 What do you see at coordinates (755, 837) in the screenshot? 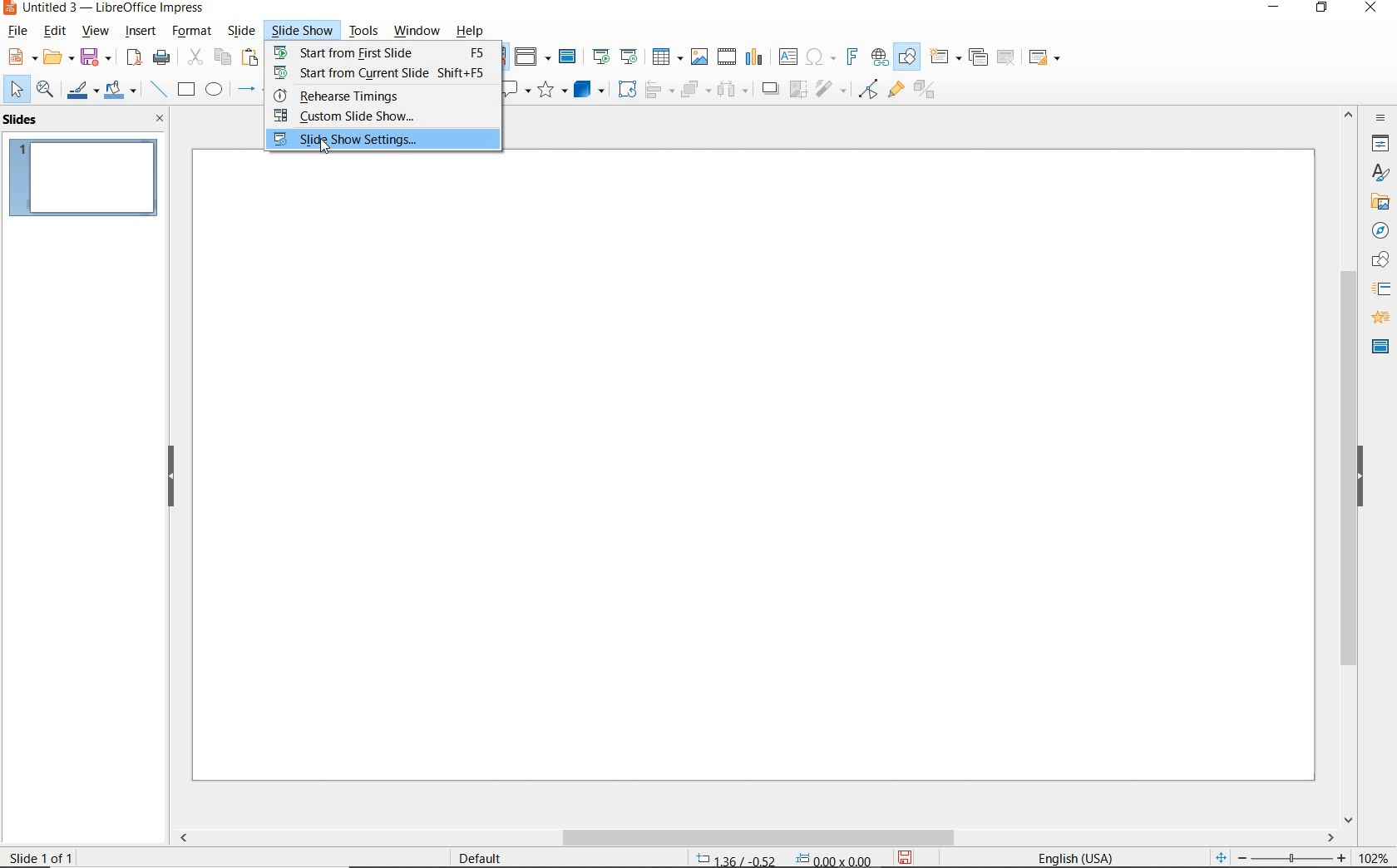
I see `SCROLLBAR` at bounding box center [755, 837].